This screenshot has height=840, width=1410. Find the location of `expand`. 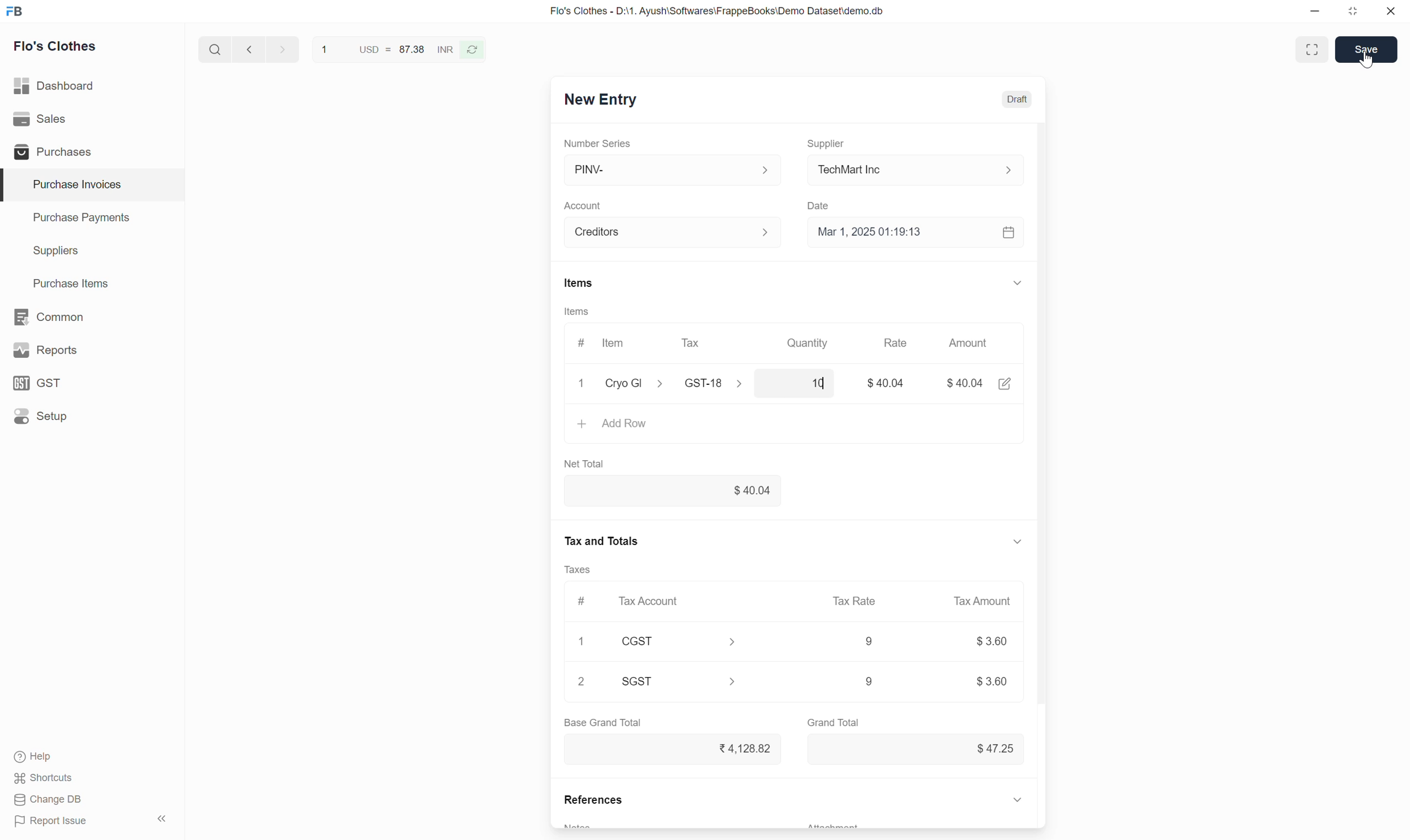

expand is located at coordinates (1014, 541).